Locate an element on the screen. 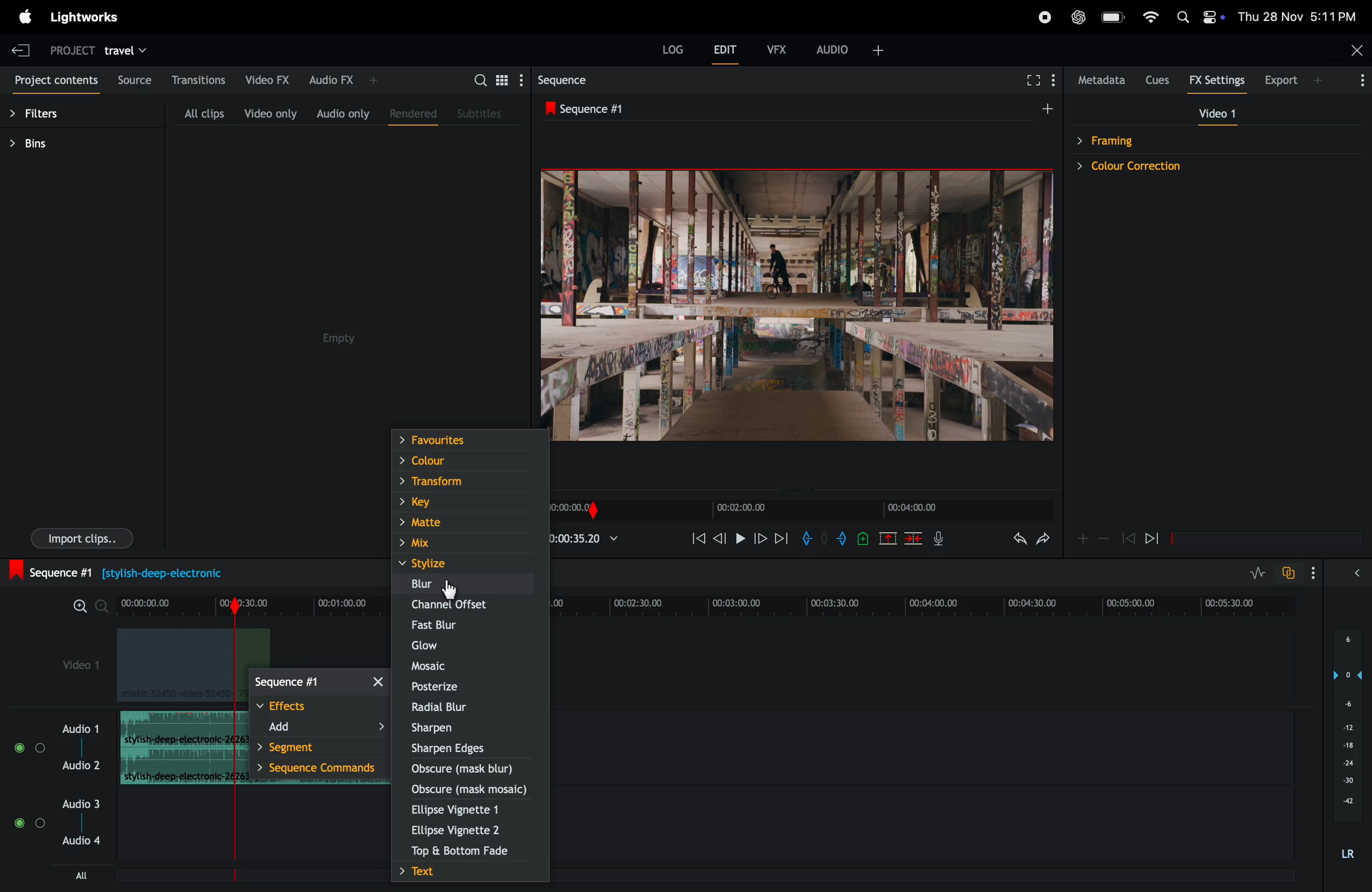 This screenshot has height=892, width=1372. add in mark is located at coordinates (809, 539).